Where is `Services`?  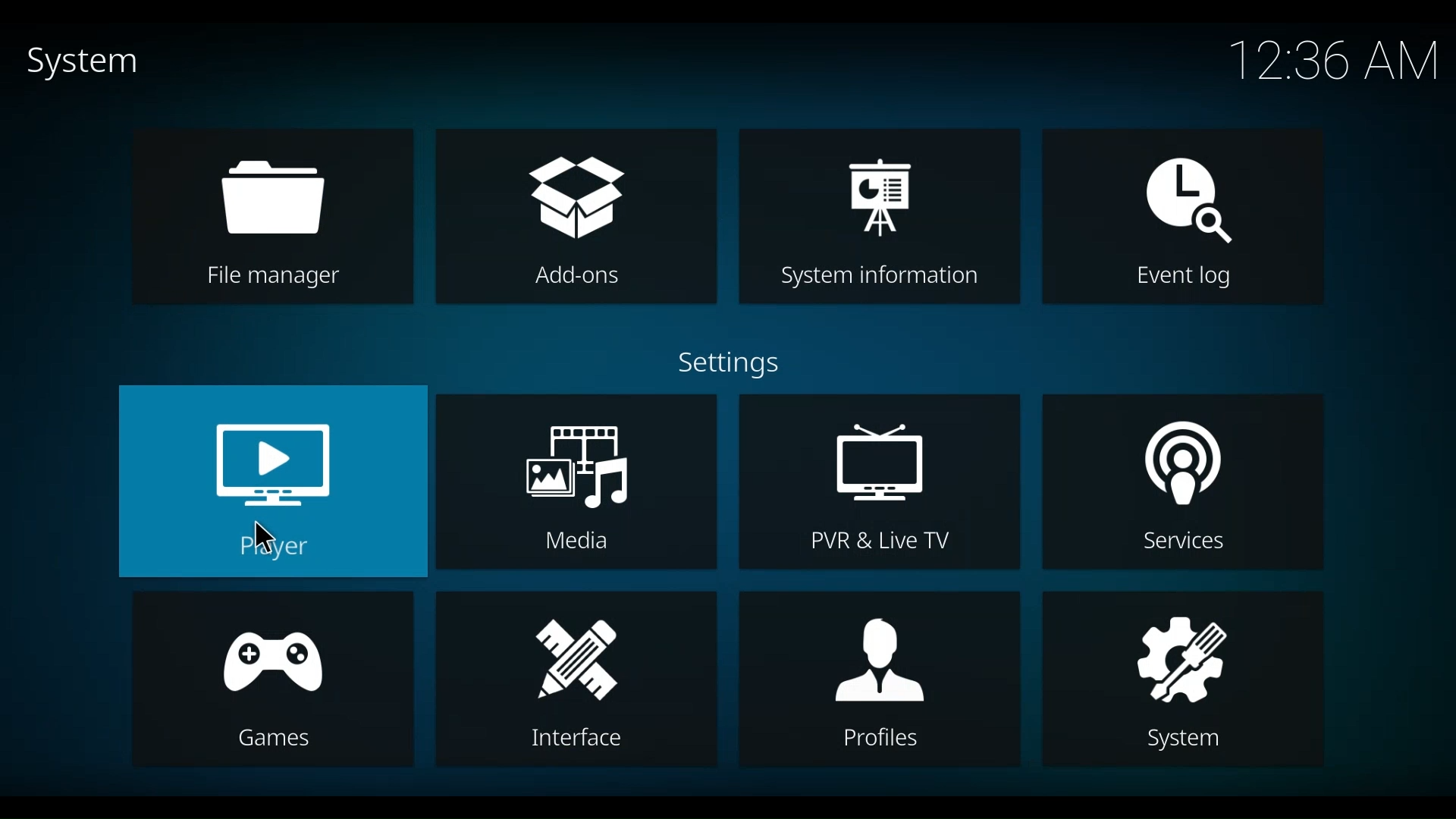
Services is located at coordinates (1181, 481).